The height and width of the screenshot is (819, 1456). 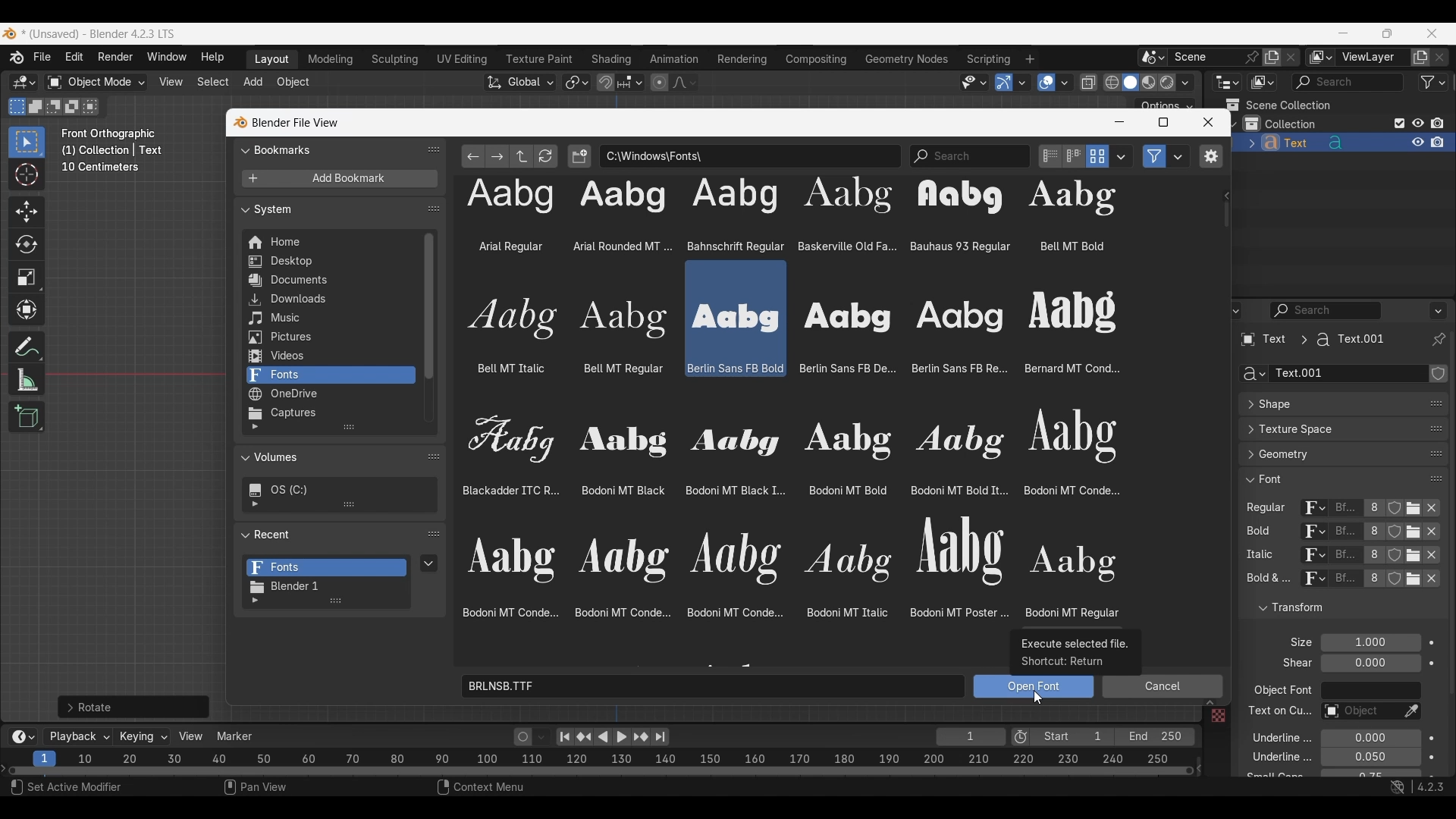 I want to click on File menu, so click(x=43, y=58).